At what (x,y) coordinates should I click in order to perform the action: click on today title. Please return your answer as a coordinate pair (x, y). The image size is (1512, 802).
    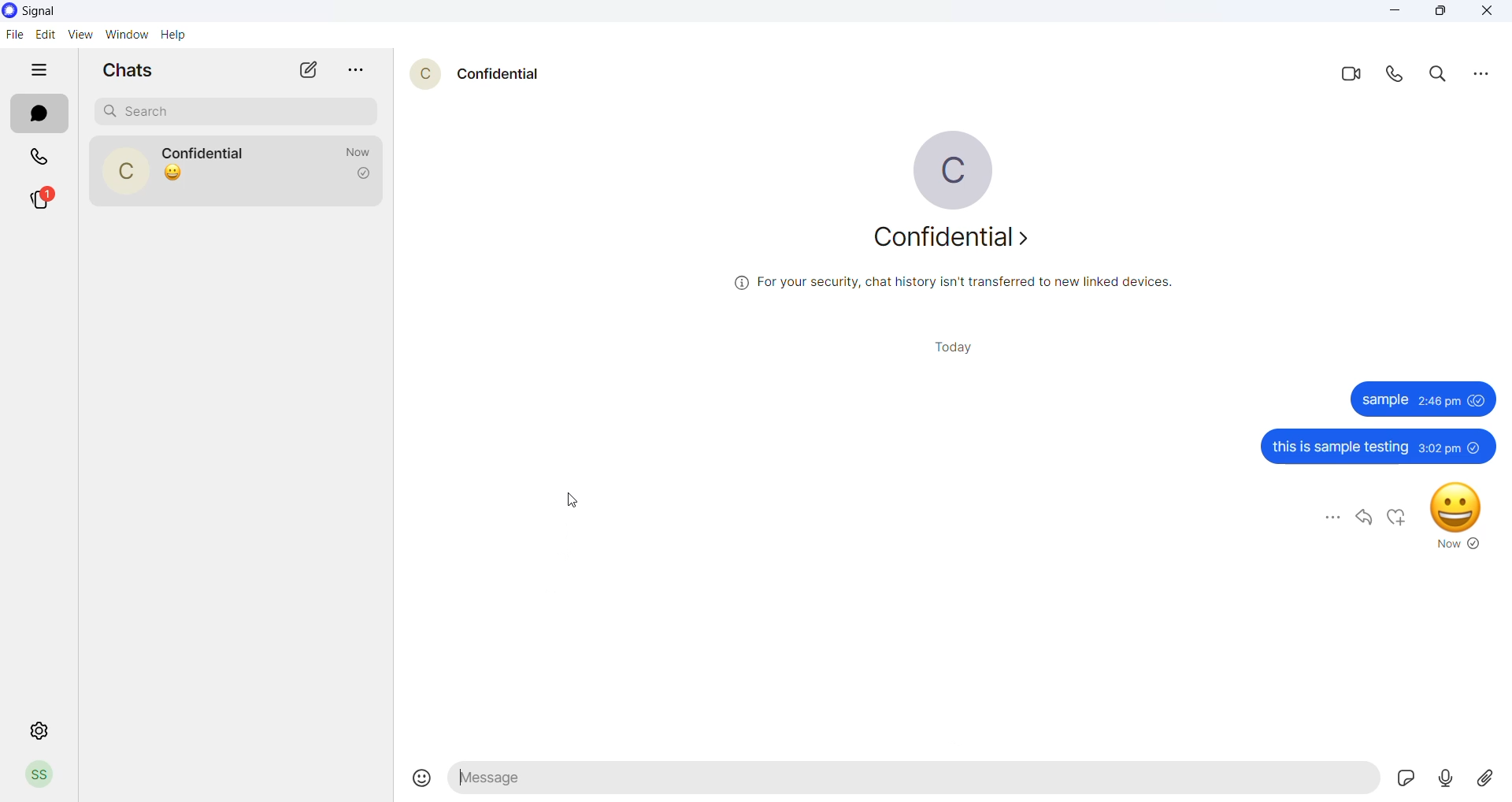
    Looking at the image, I should click on (957, 347).